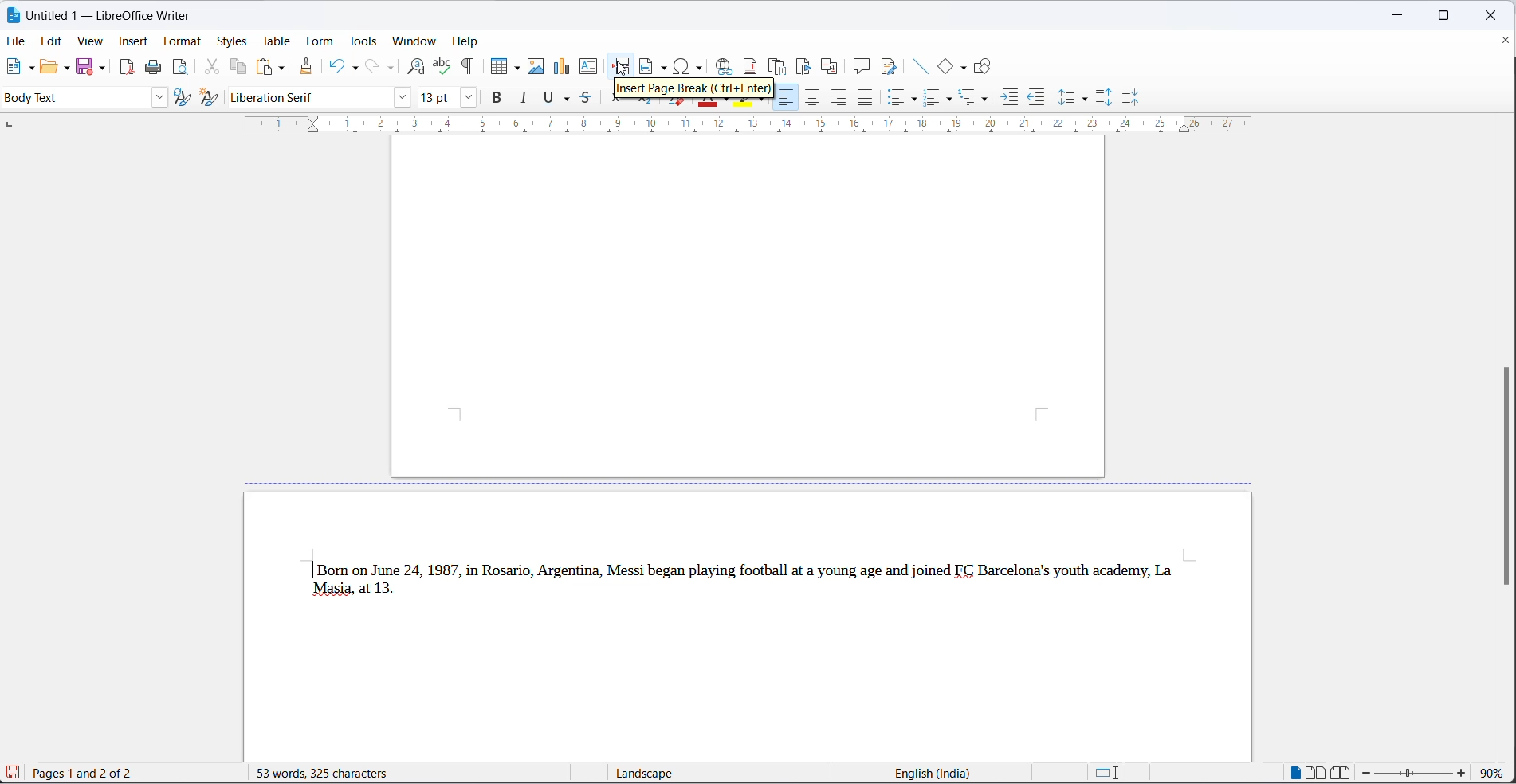 The width and height of the screenshot is (1516, 784). Describe the element at coordinates (1404, 13) in the screenshot. I see `close` at that location.